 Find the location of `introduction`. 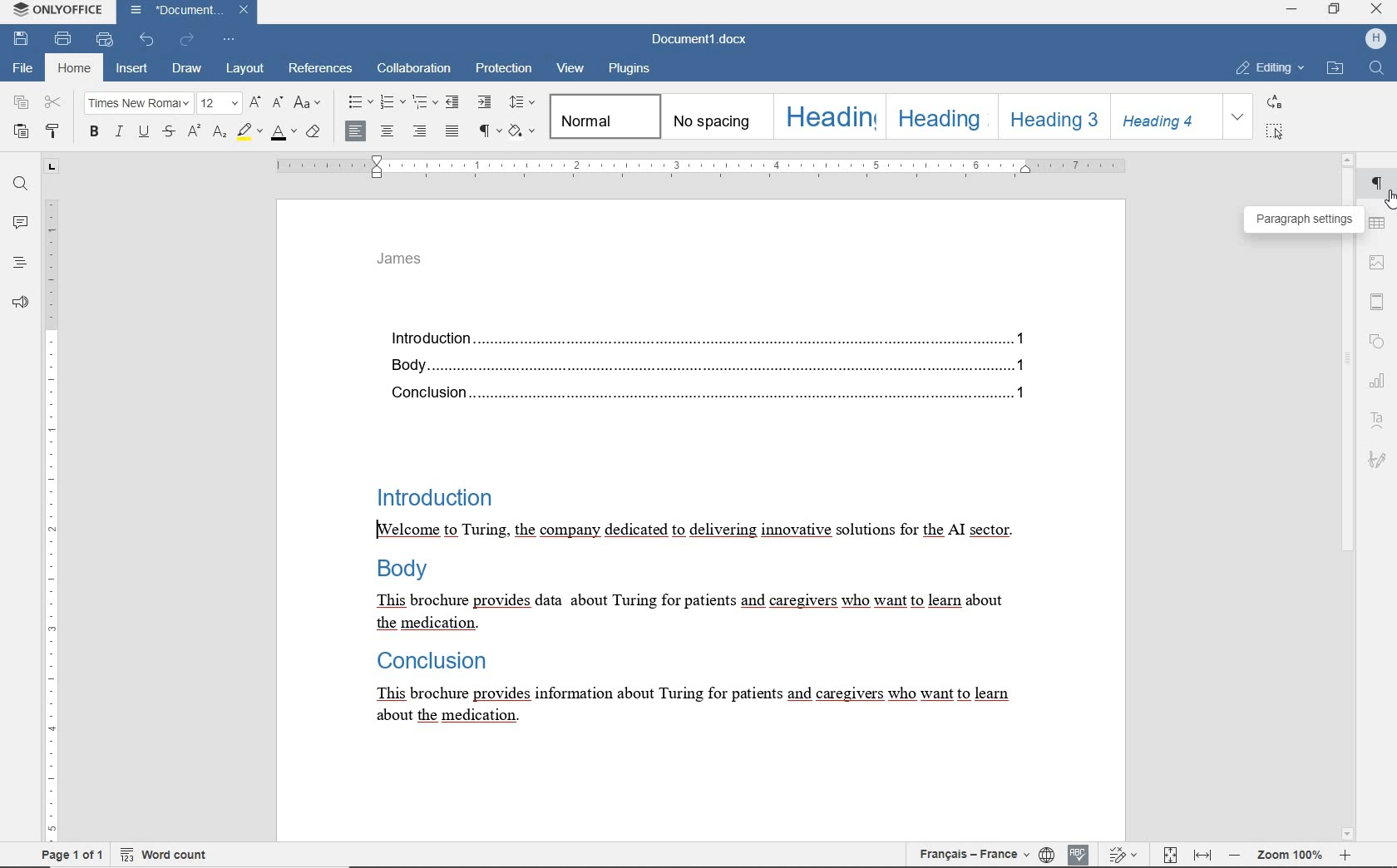

introduction is located at coordinates (713, 336).